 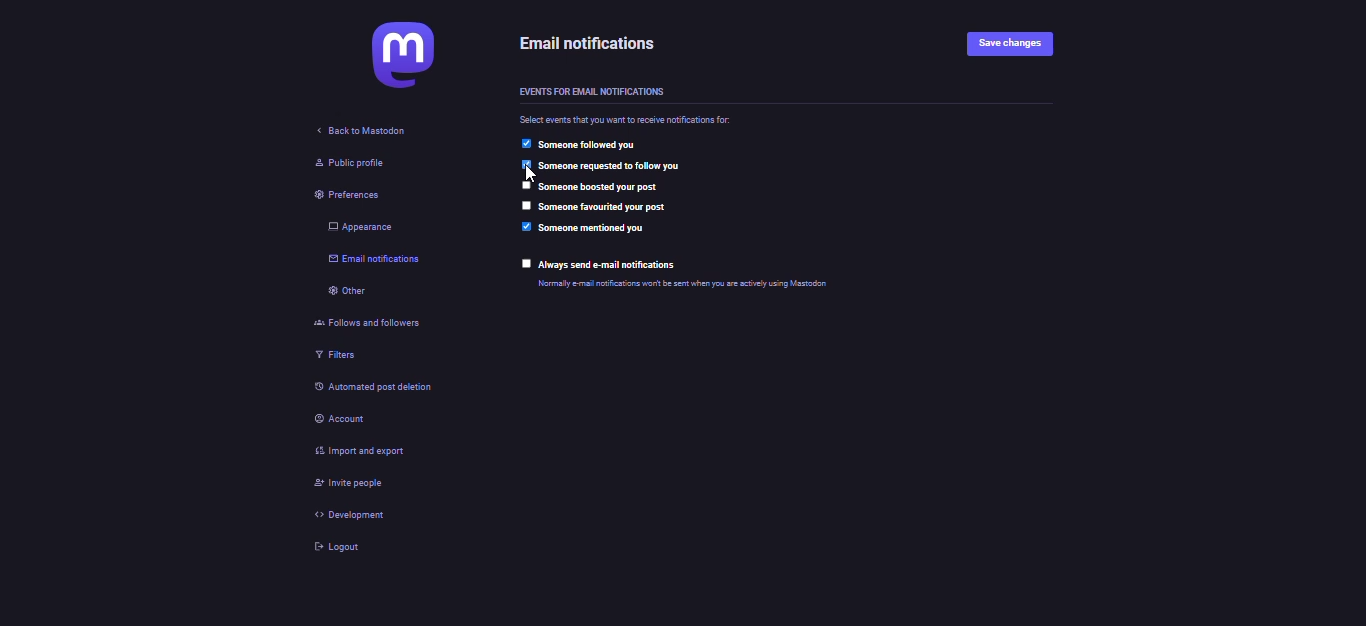 What do you see at coordinates (365, 131) in the screenshot?
I see `back to mastodon` at bounding box center [365, 131].